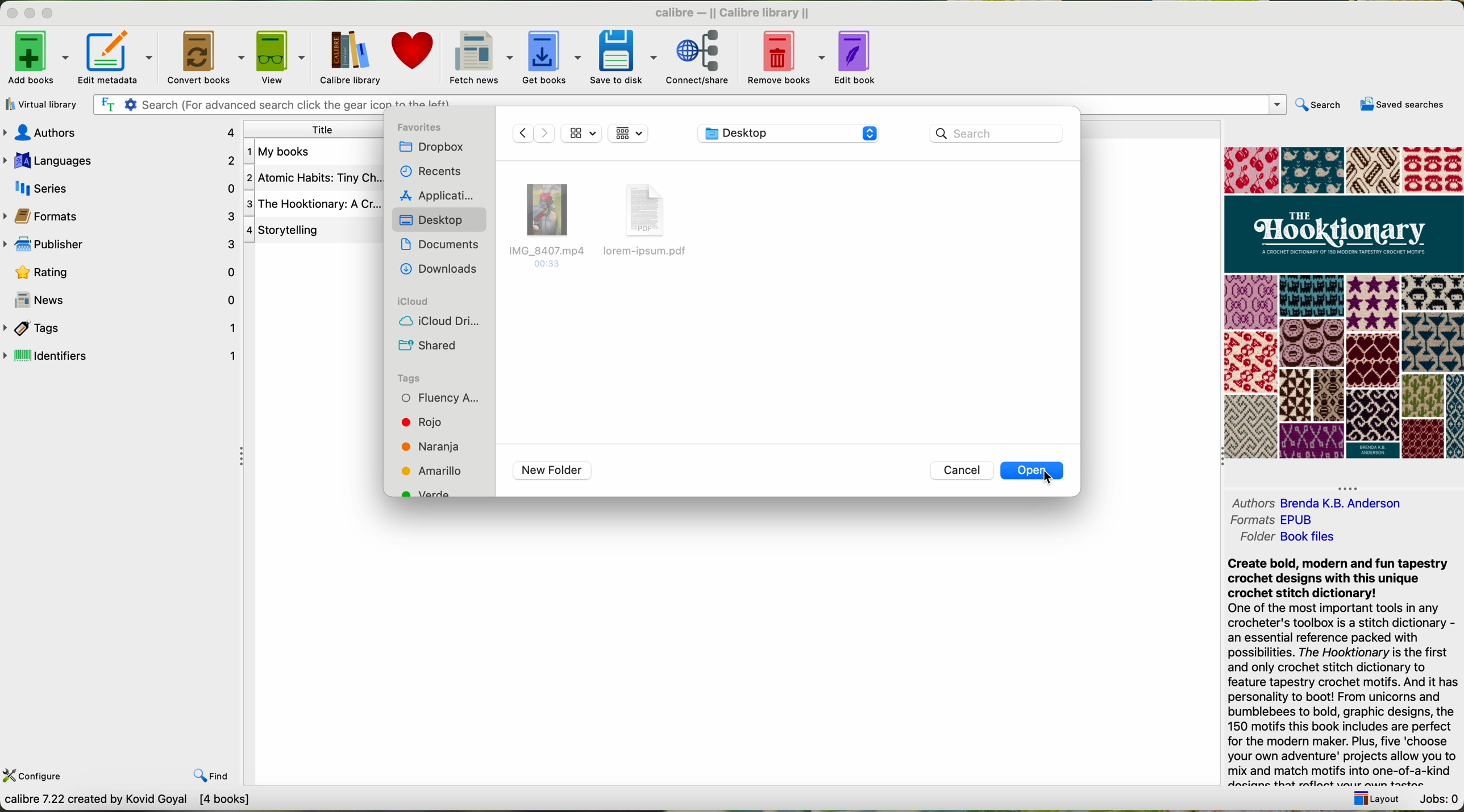 The width and height of the screenshot is (1464, 812). I want to click on tags, so click(413, 378).